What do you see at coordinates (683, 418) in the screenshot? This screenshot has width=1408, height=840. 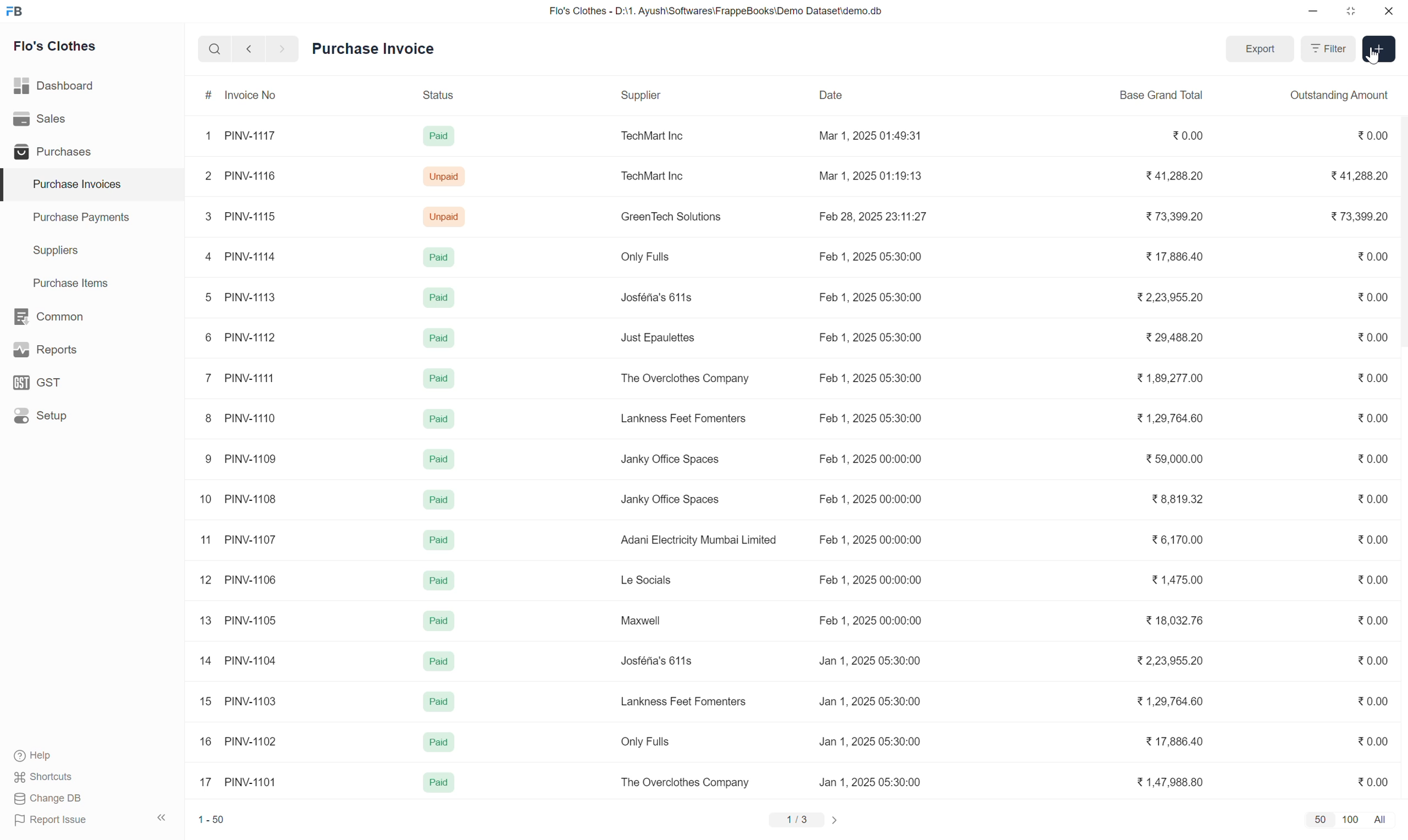 I see `Lankness Feet Fomenters` at bounding box center [683, 418].